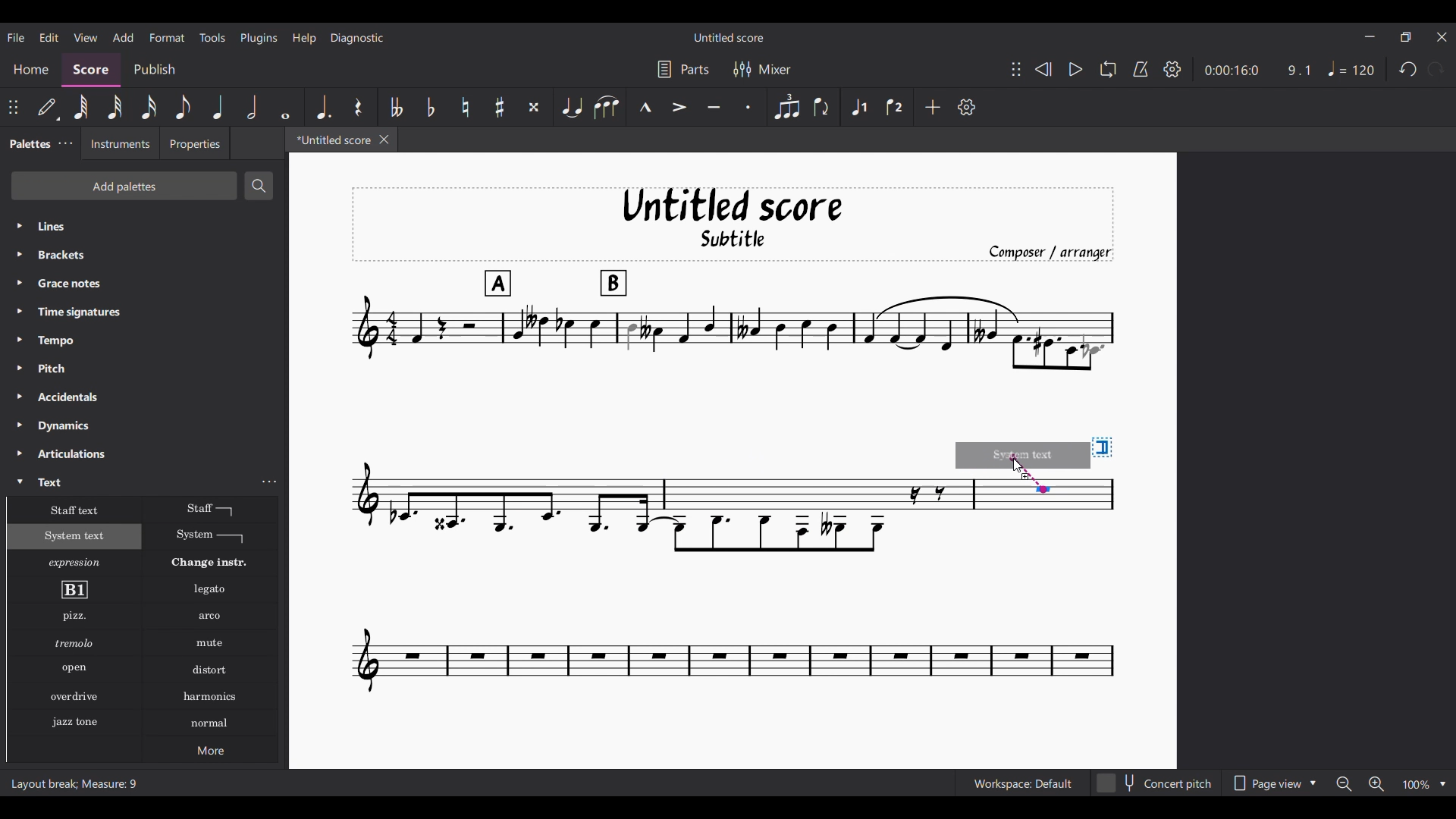 Image resolution: width=1456 pixels, height=819 pixels. What do you see at coordinates (1018, 465) in the screenshot?
I see `Cursor` at bounding box center [1018, 465].